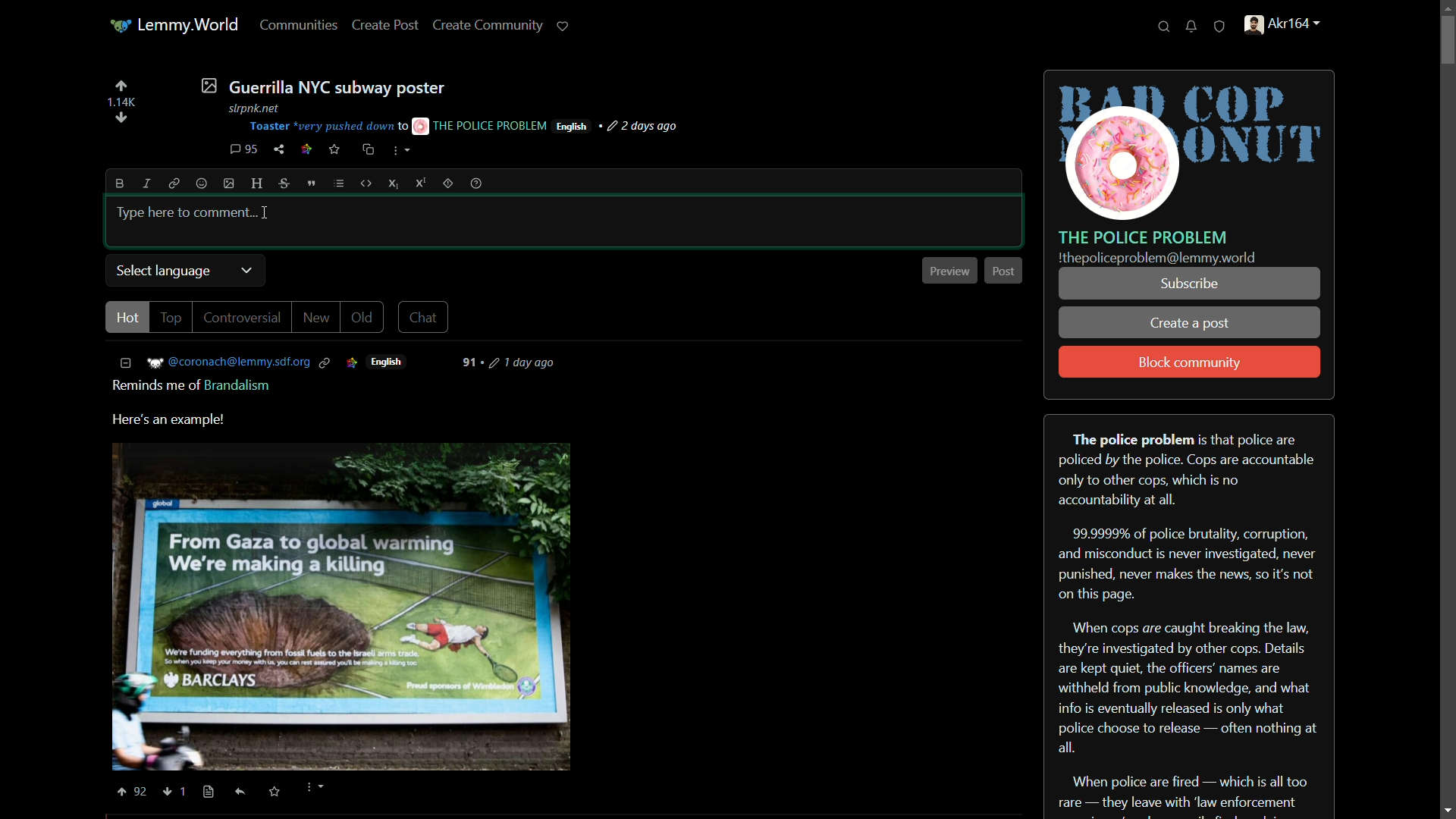 The height and width of the screenshot is (819, 1456). Describe the element at coordinates (351, 362) in the screenshot. I see `link` at that location.